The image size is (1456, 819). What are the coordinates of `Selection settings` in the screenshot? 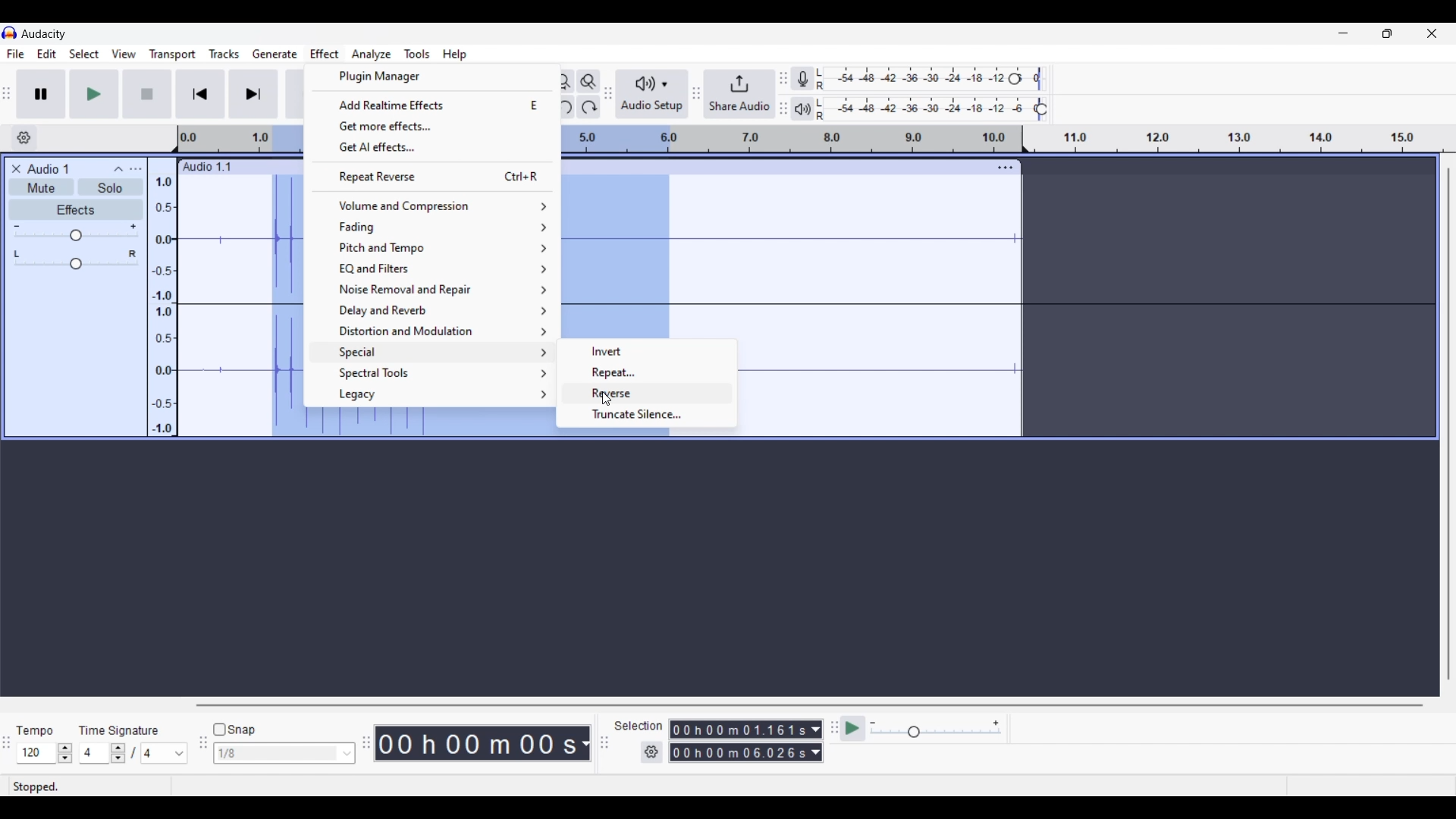 It's located at (652, 752).